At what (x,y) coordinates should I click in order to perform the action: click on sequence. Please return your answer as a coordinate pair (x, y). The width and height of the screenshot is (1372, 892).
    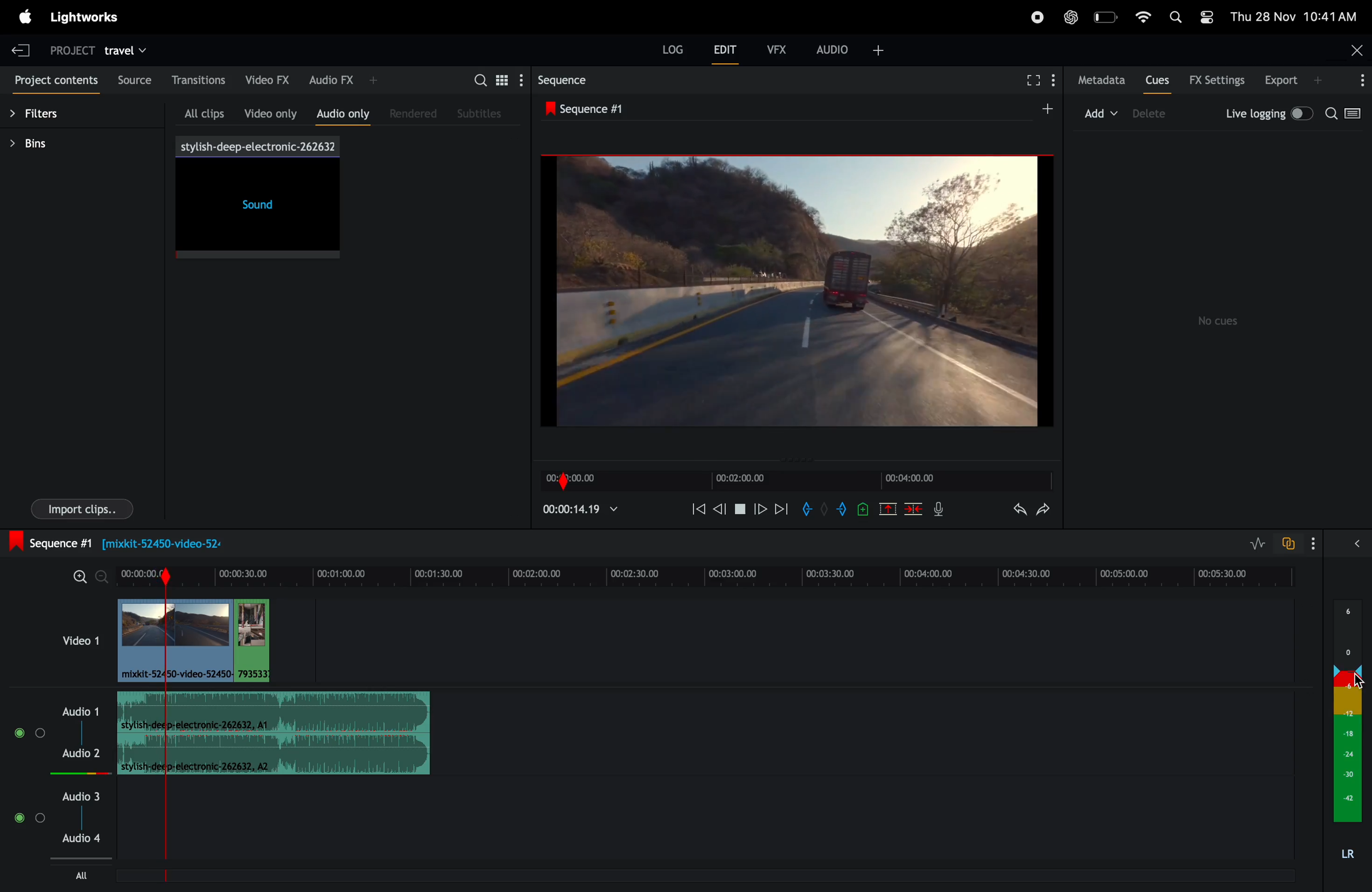
    Looking at the image, I should click on (583, 81).